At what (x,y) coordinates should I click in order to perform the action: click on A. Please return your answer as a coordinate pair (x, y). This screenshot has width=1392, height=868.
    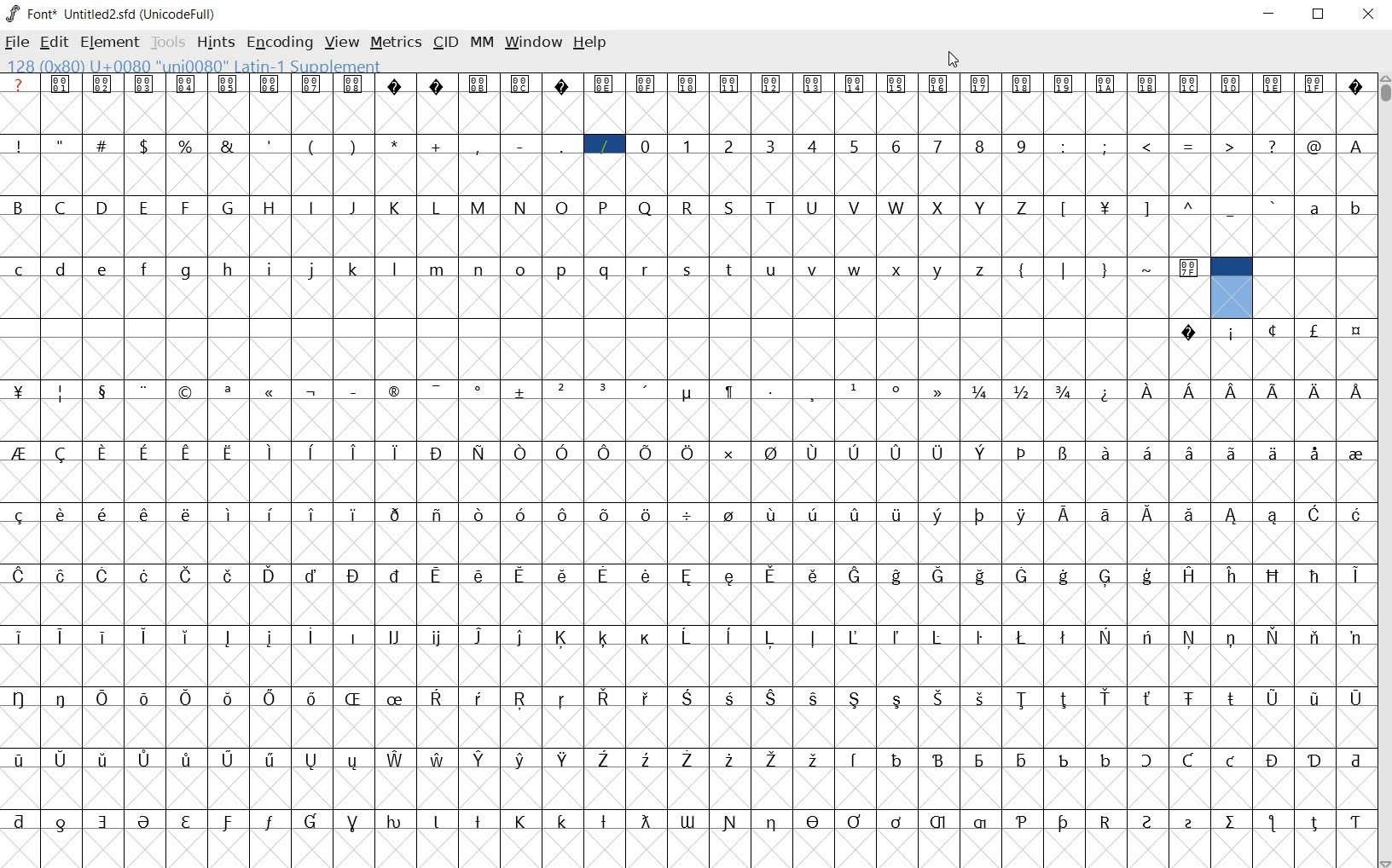
    Looking at the image, I should click on (1358, 145).